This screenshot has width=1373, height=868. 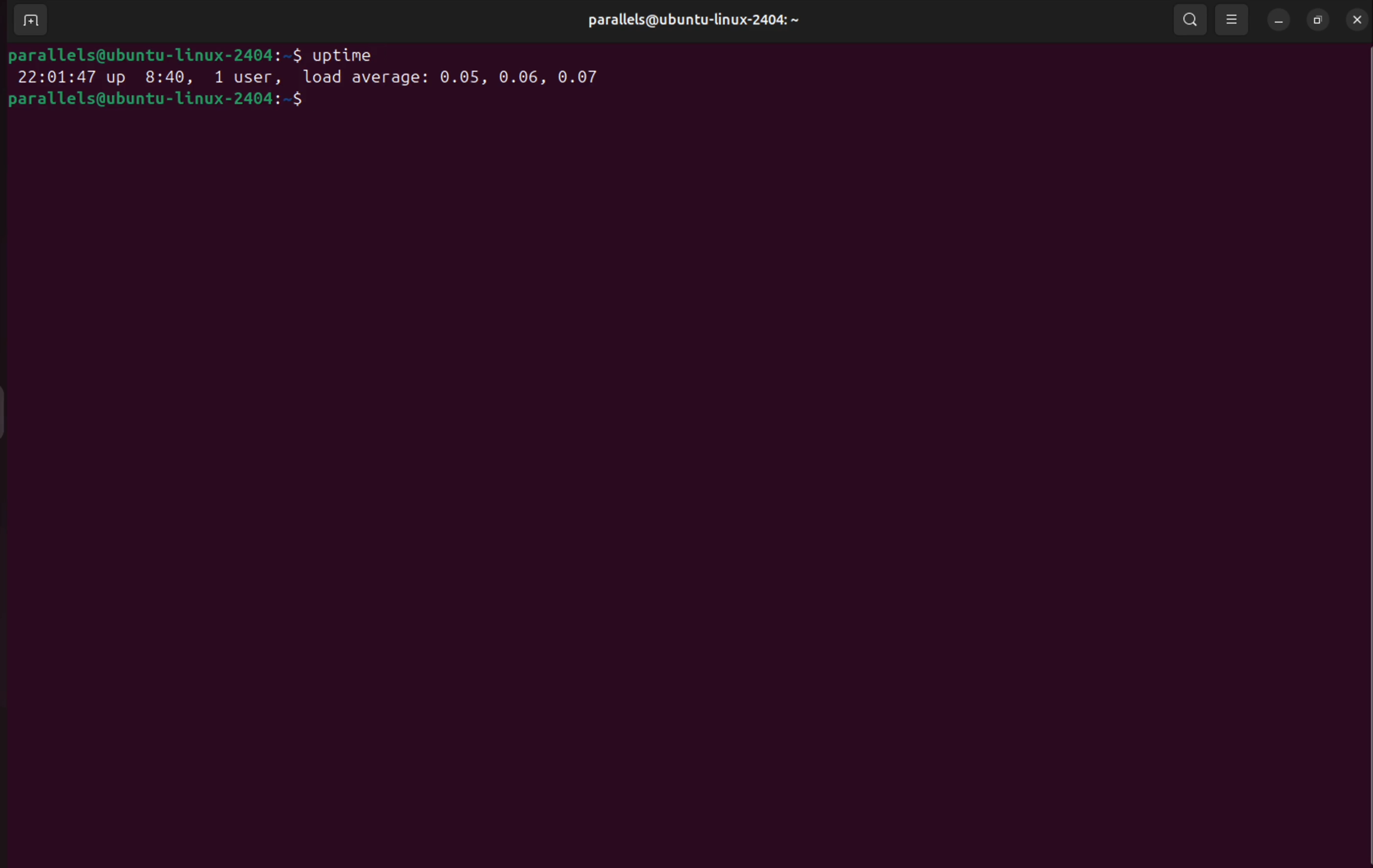 What do you see at coordinates (464, 78) in the screenshot?
I see `0.05` at bounding box center [464, 78].